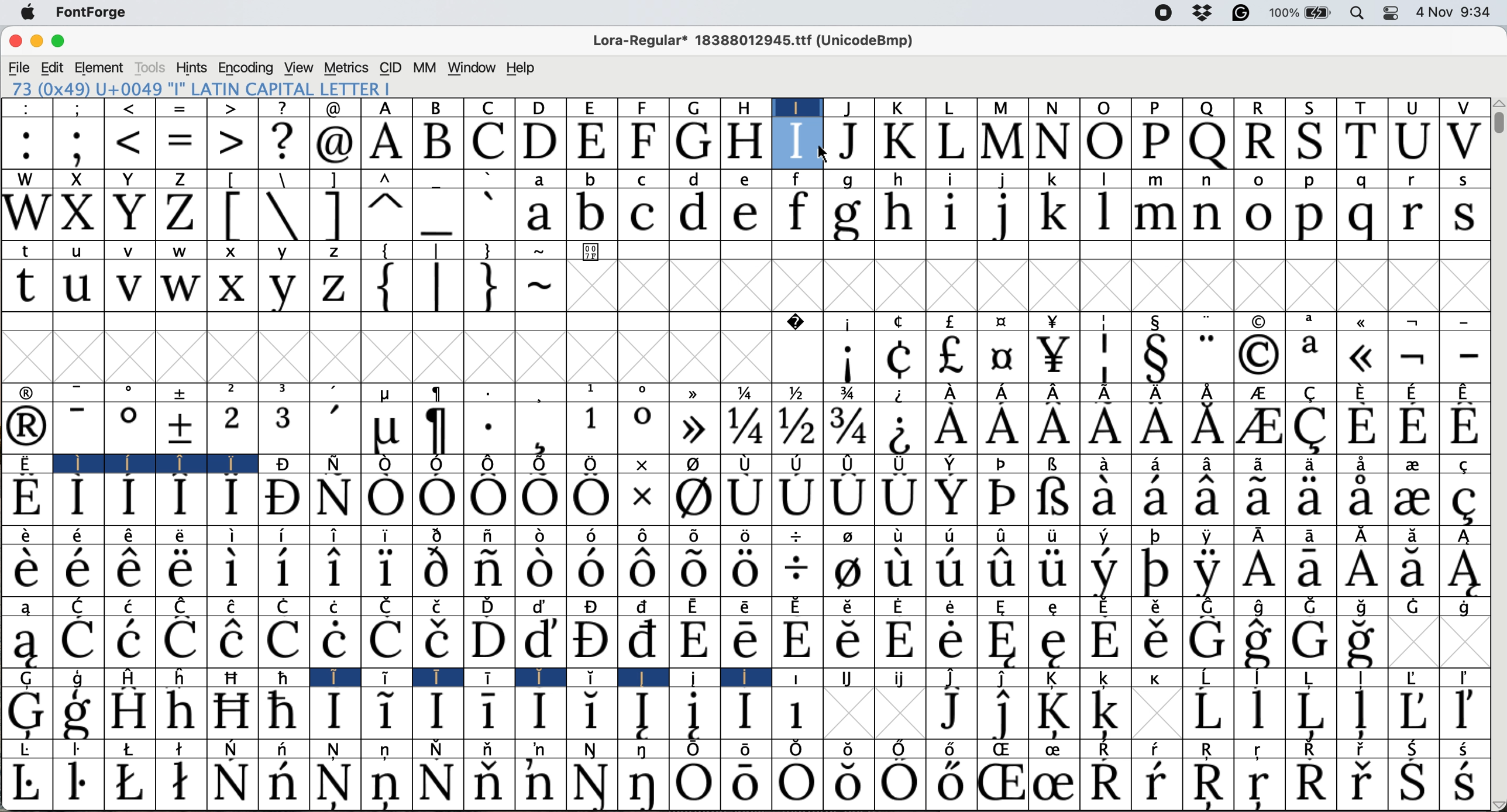  I want to click on `, so click(488, 213).